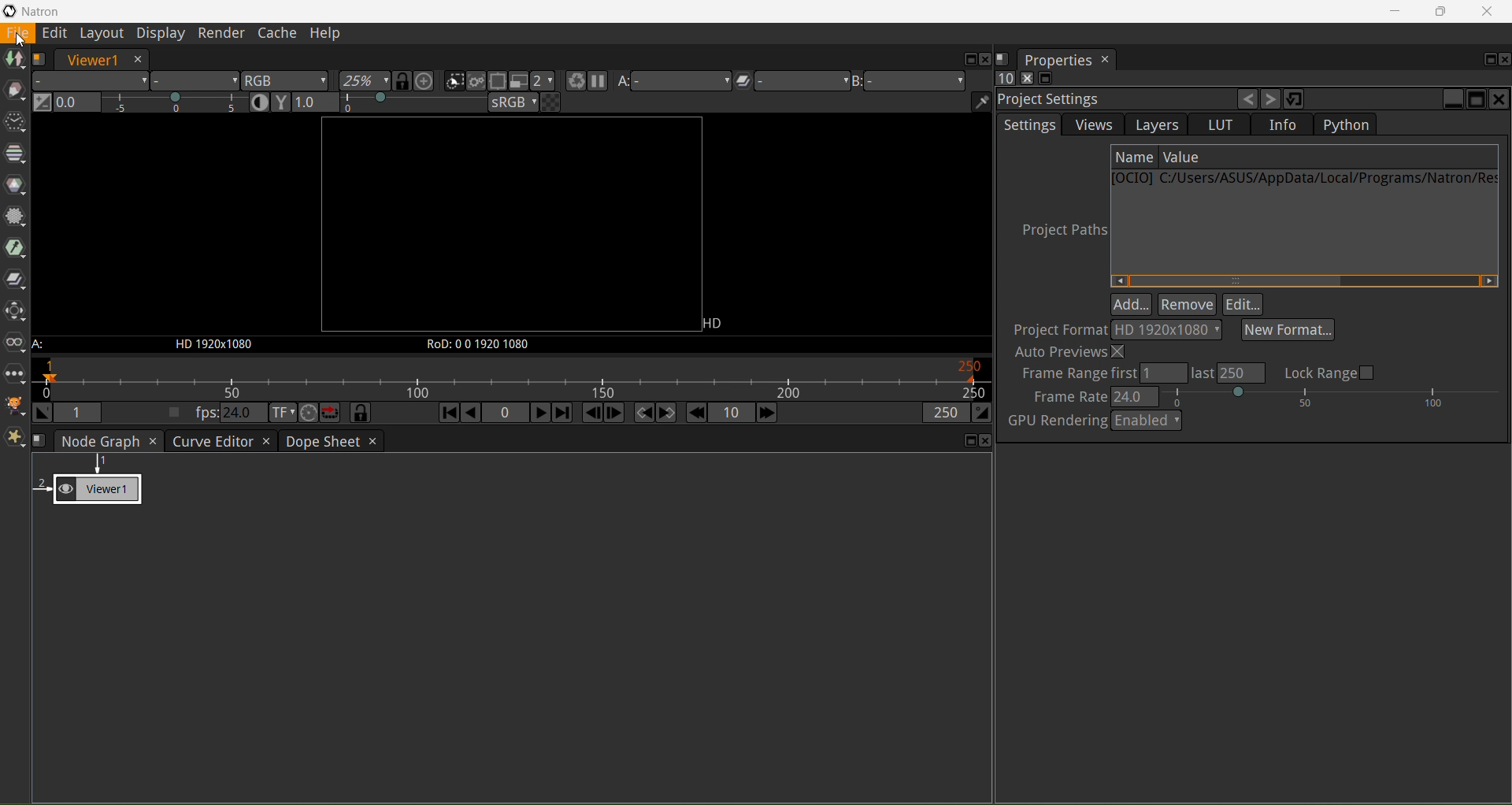 This screenshot has width=1512, height=805. I want to click on Help, so click(330, 33).